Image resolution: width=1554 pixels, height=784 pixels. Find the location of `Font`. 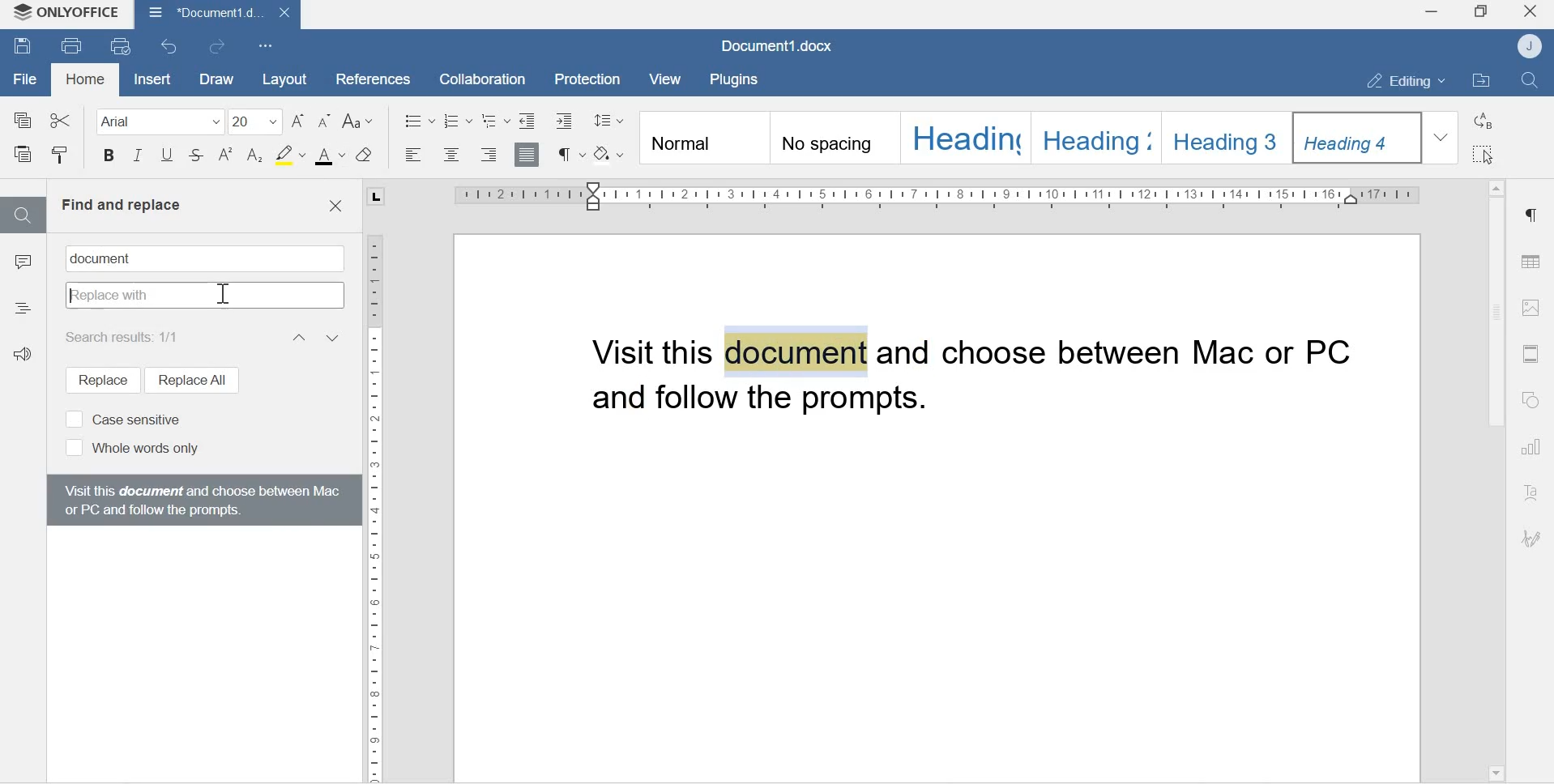

Font is located at coordinates (154, 121).